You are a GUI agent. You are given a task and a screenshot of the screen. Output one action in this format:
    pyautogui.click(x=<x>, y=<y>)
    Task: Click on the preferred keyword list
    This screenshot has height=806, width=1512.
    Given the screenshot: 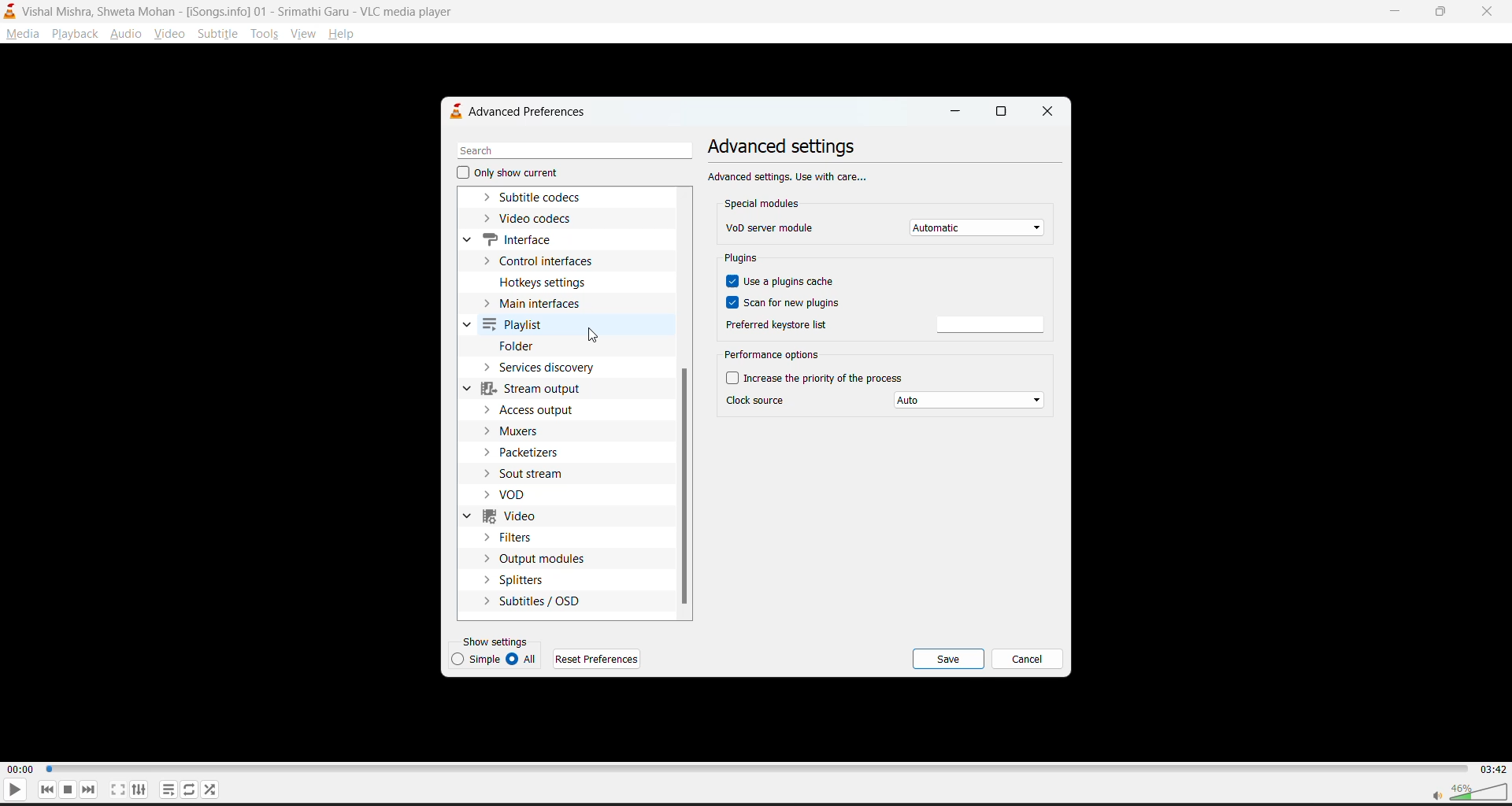 What is the action you would take?
    pyautogui.click(x=775, y=326)
    